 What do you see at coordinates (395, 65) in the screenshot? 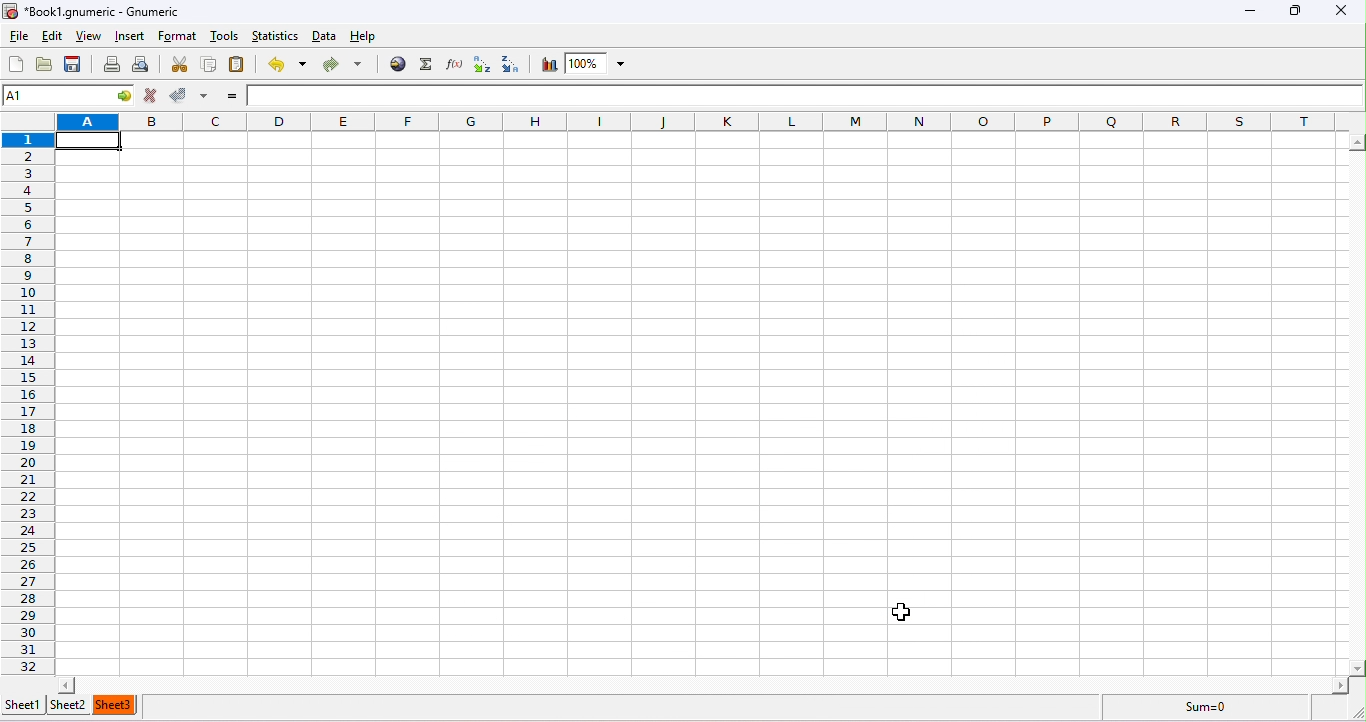
I see `hyperlink` at bounding box center [395, 65].